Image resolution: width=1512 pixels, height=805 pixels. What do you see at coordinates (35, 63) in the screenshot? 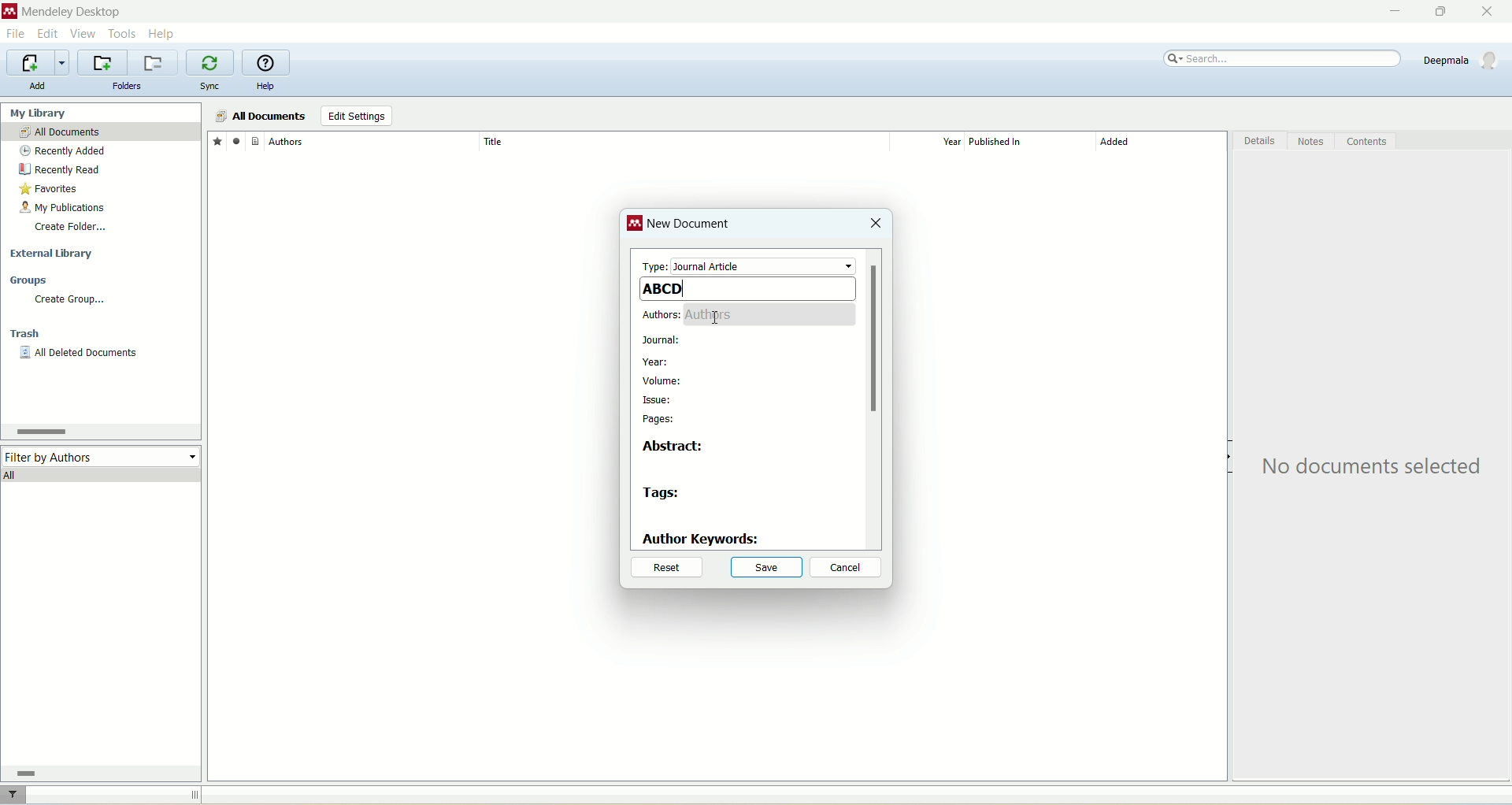
I see `import` at bounding box center [35, 63].